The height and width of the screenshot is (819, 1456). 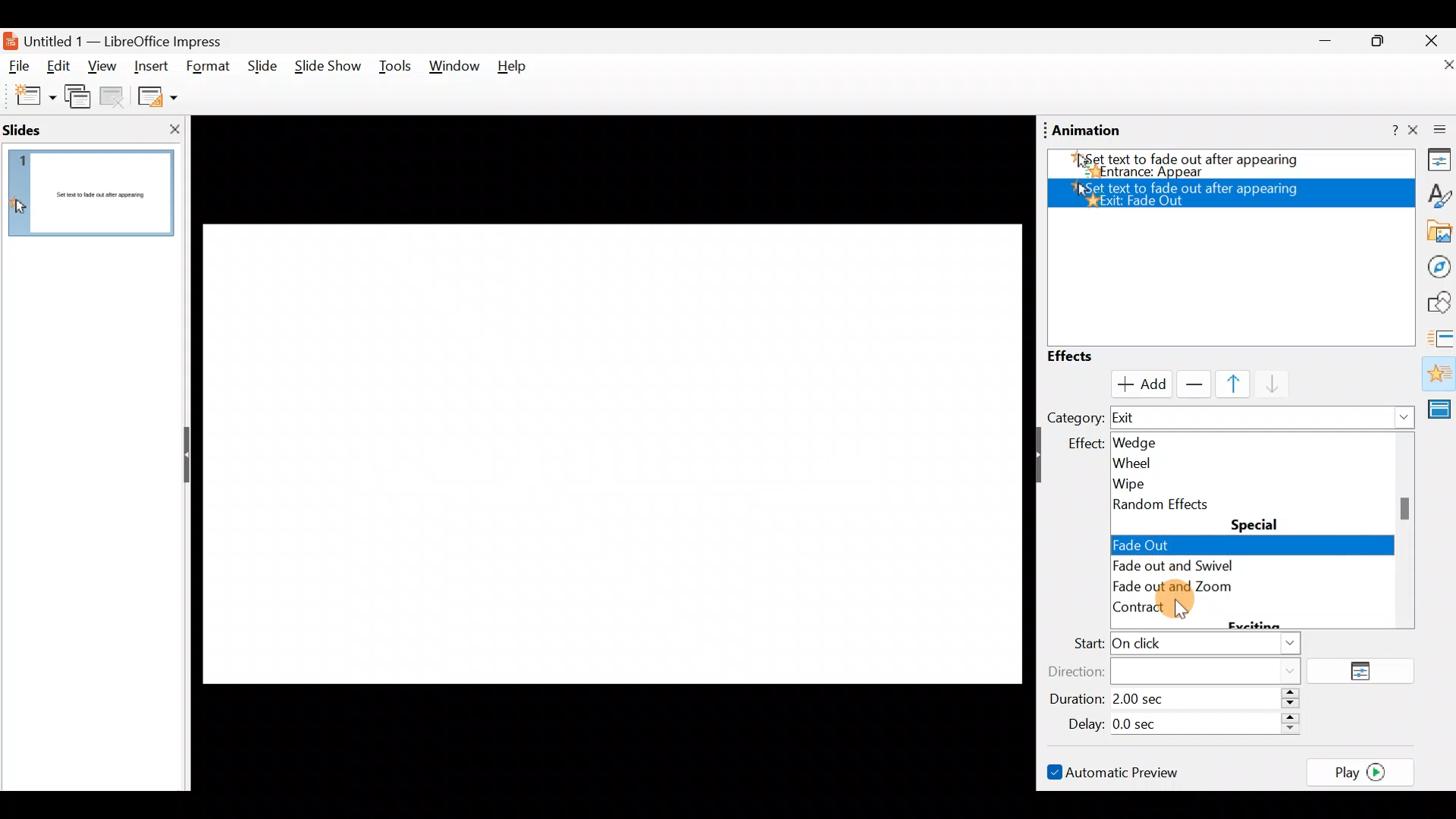 I want to click on Presentation slide, so click(x=605, y=442).